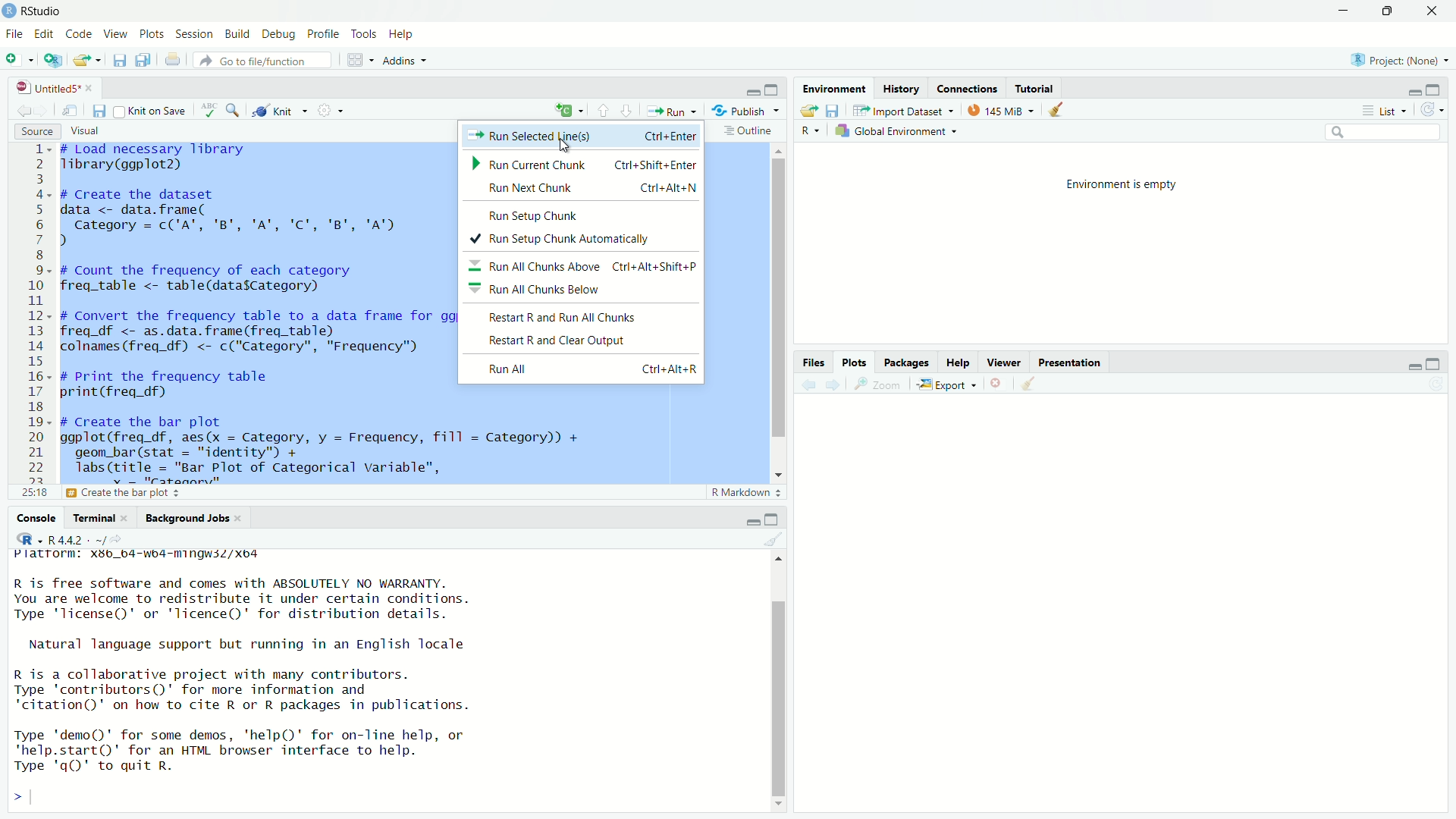 The width and height of the screenshot is (1456, 819). Describe the element at coordinates (1435, 11) in the screenshot. I see `close` at that location.